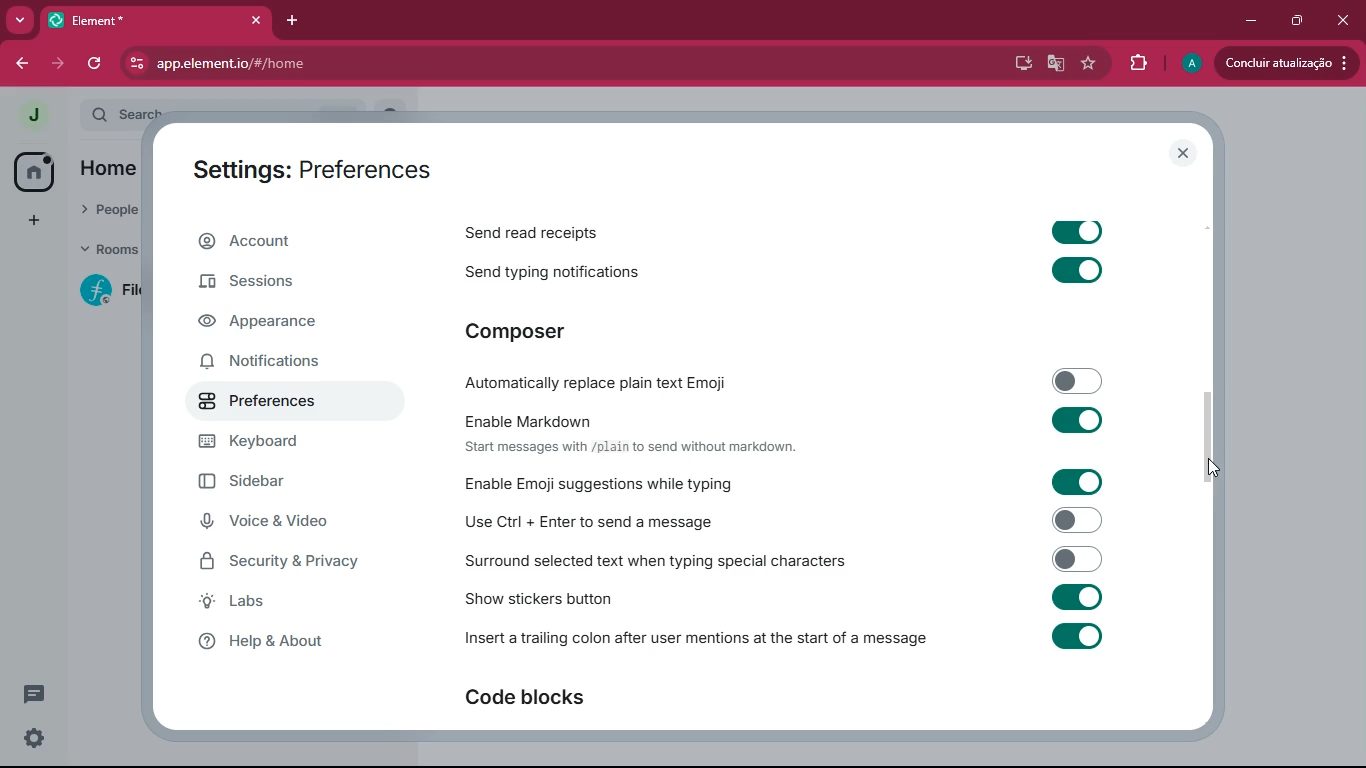  Describe the element at coordinates (285, 241) in the screenshot. I see `account` at that location.